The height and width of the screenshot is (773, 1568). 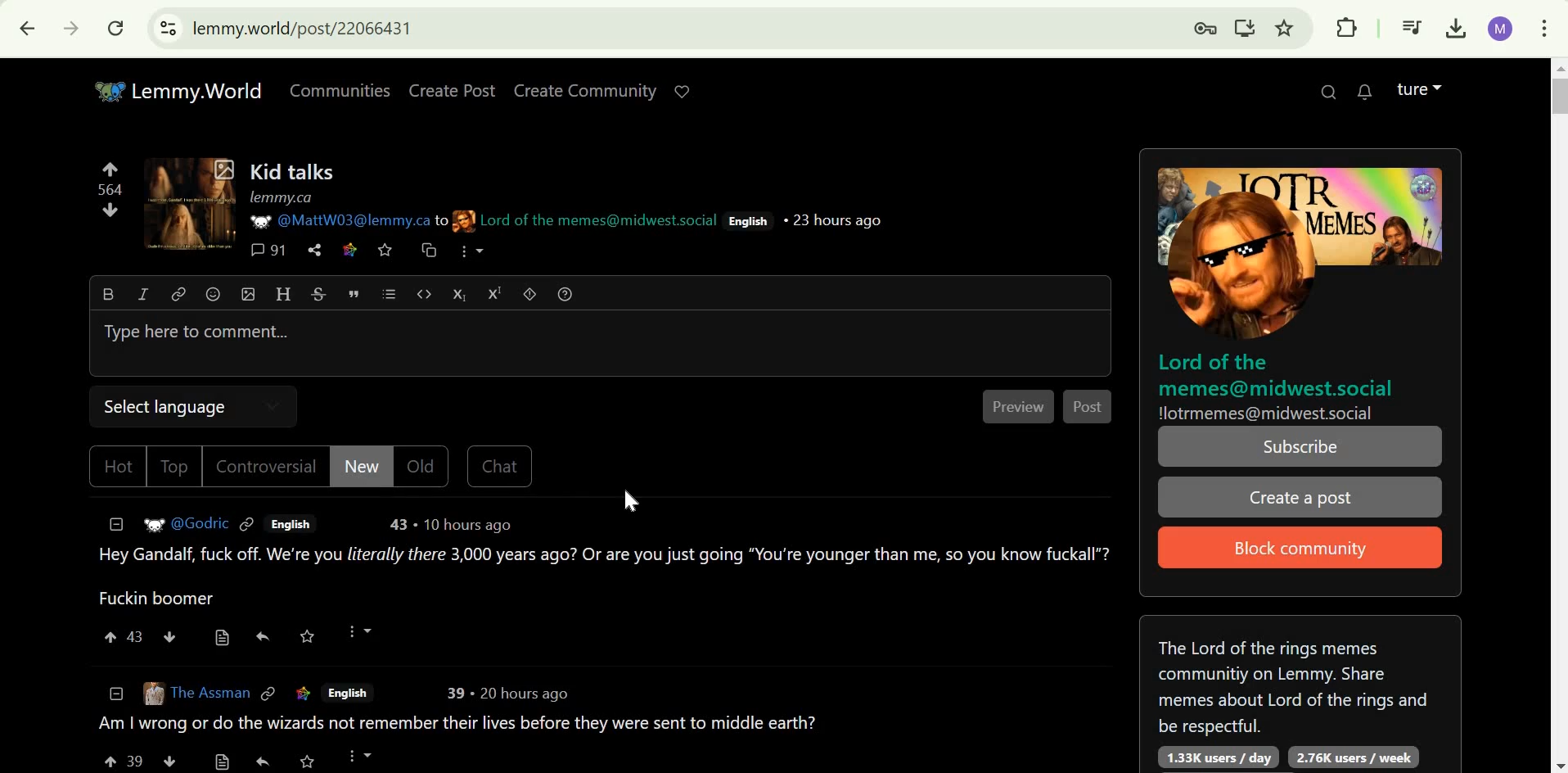 I want to click on !lotrmemes@midwest.social, so click(x=1268, y=413).